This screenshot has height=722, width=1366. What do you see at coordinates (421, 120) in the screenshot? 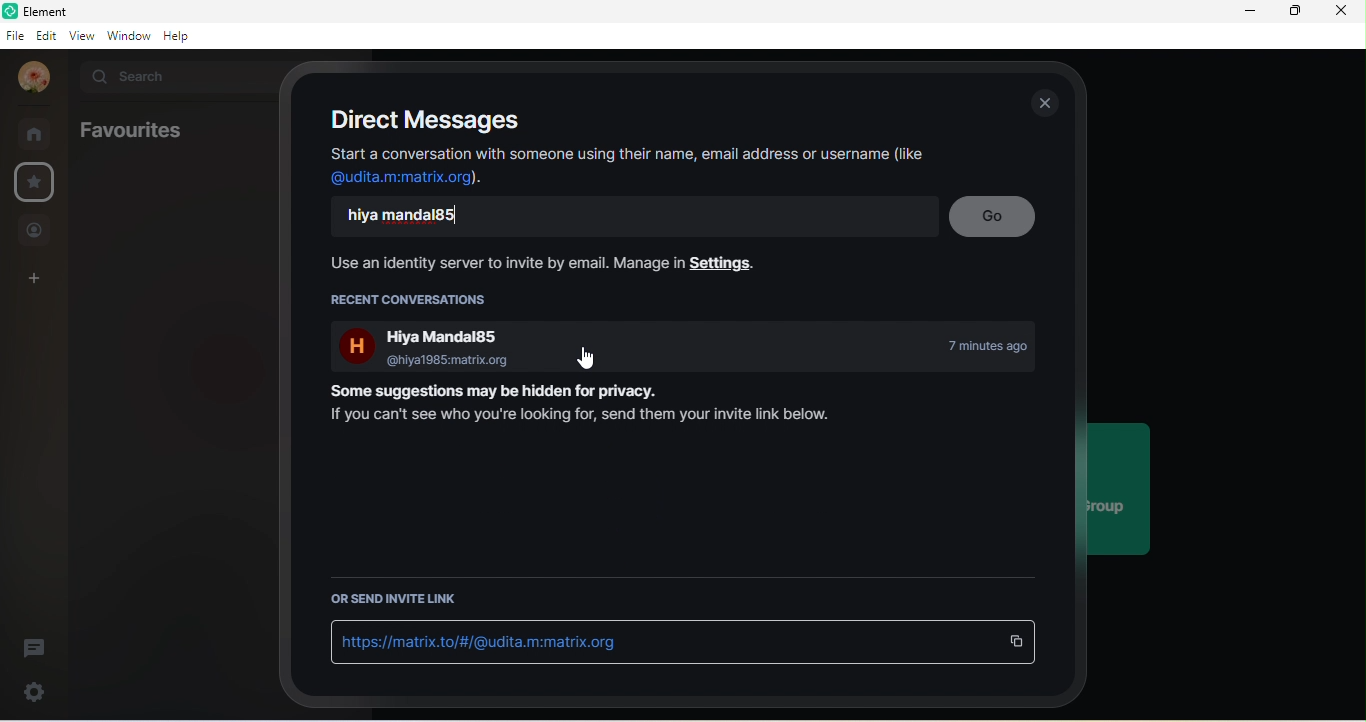
I see `direct messages` at bounding box center [421, 120].